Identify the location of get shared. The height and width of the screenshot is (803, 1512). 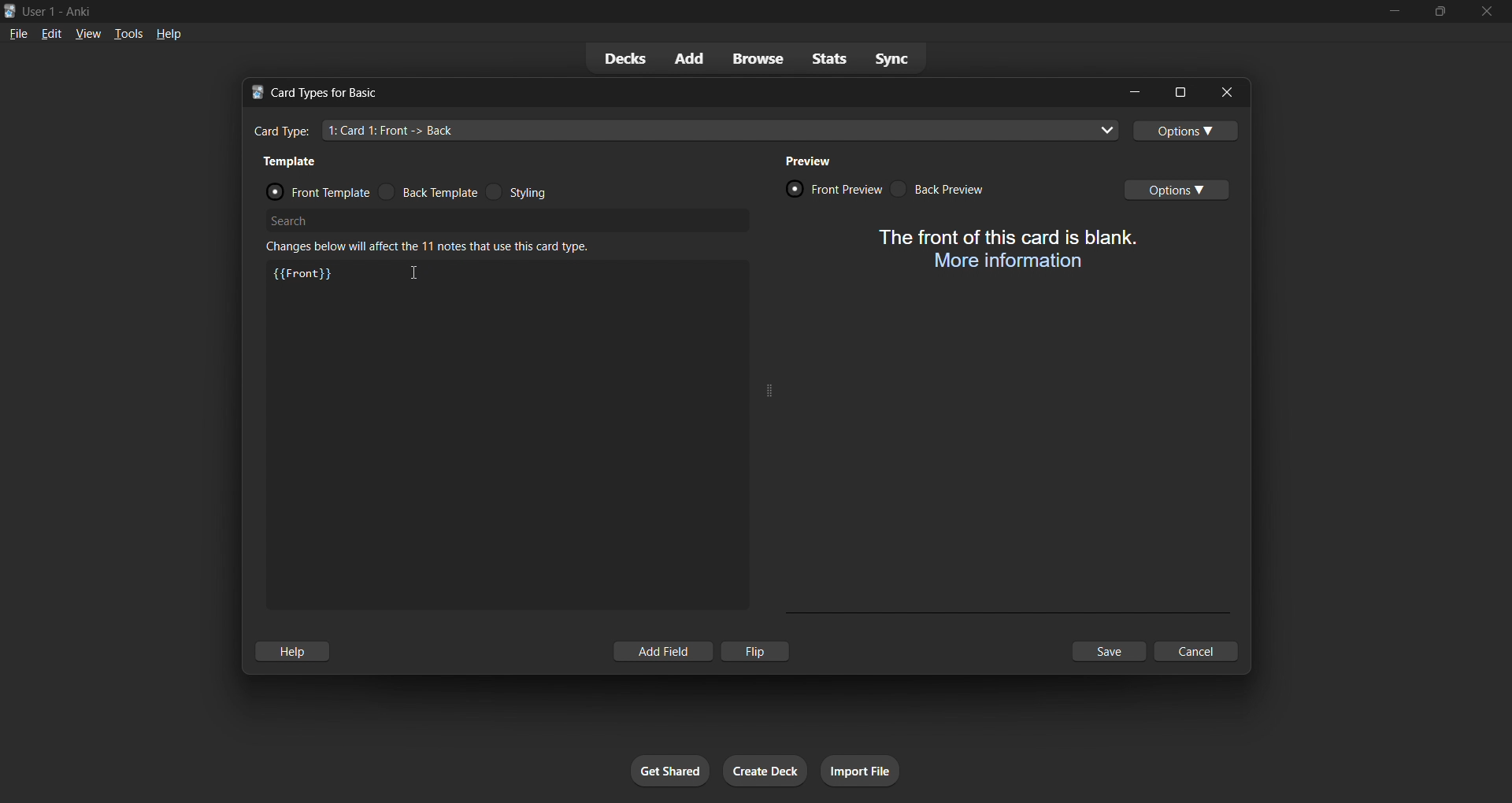
(667, 770).